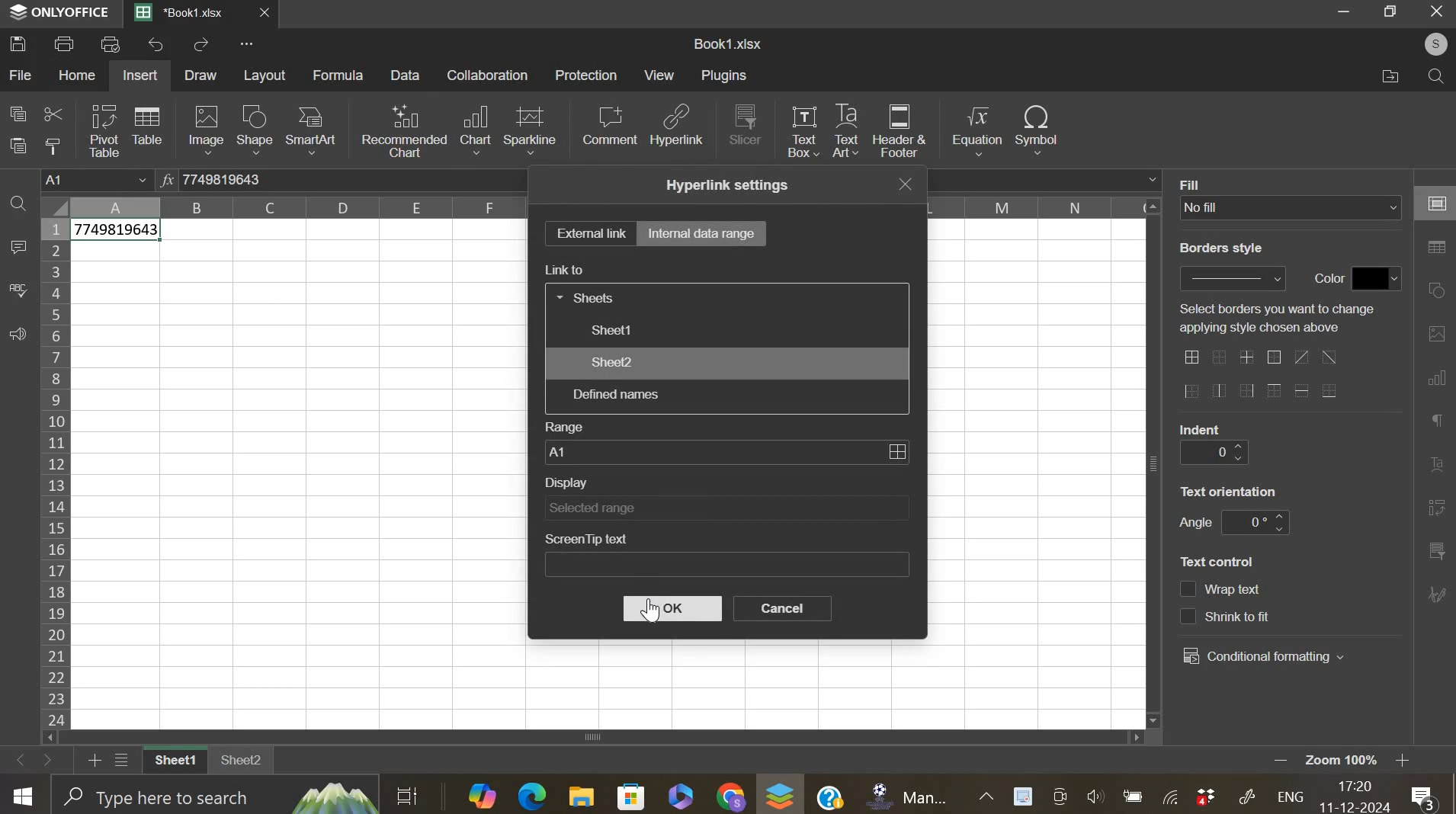 This screenshot has height=814, width=1456. Describe the element at coordinates (1276, 318) in the screenshot. I see `text` at that location.